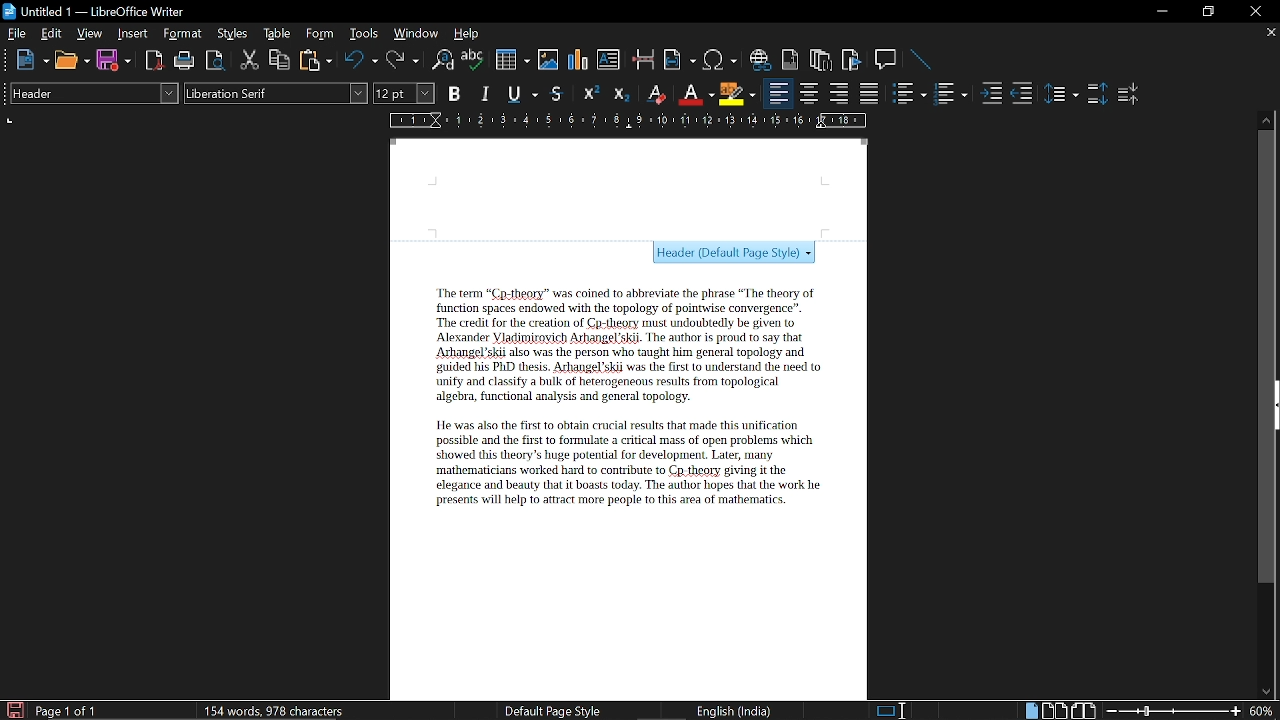 The image size is (1280, 720). Describe the element at coordinates (735, 253) in the screenshot. I see `Header style` at that location.